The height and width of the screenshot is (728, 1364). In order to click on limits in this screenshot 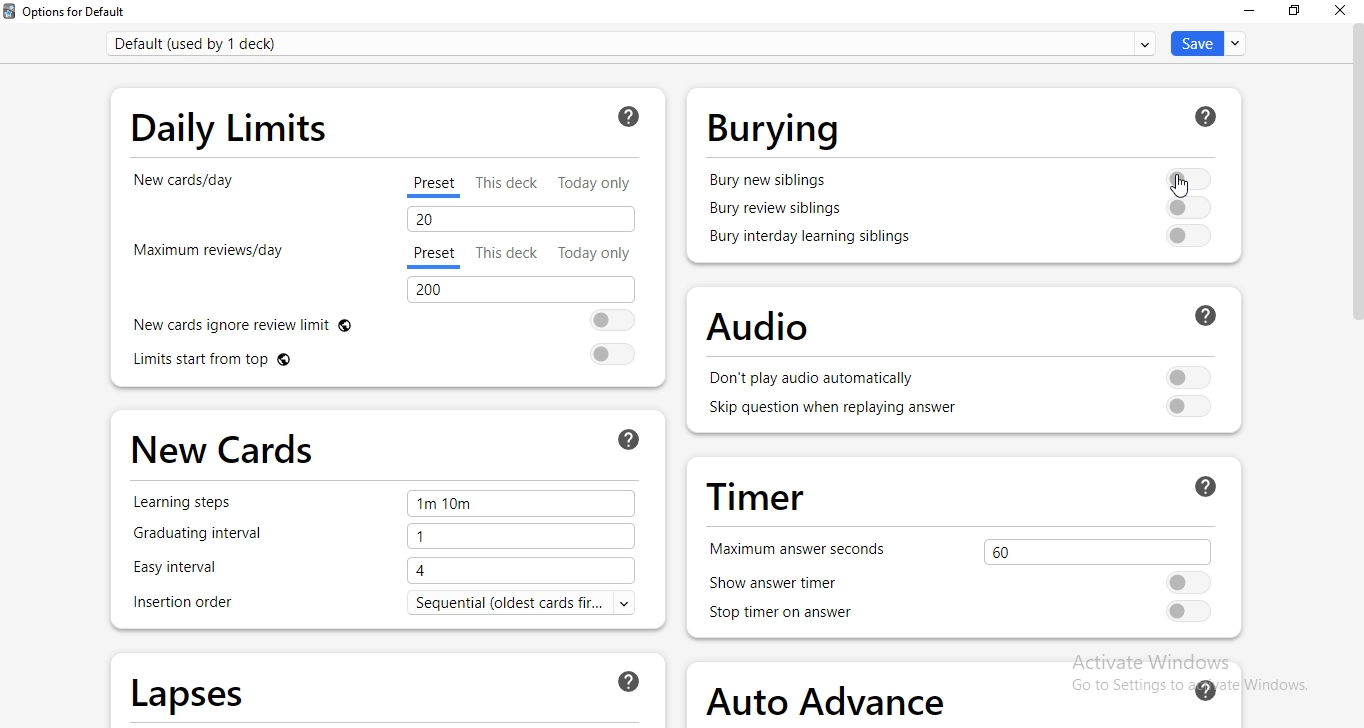, I will do `click(263, 362)`.